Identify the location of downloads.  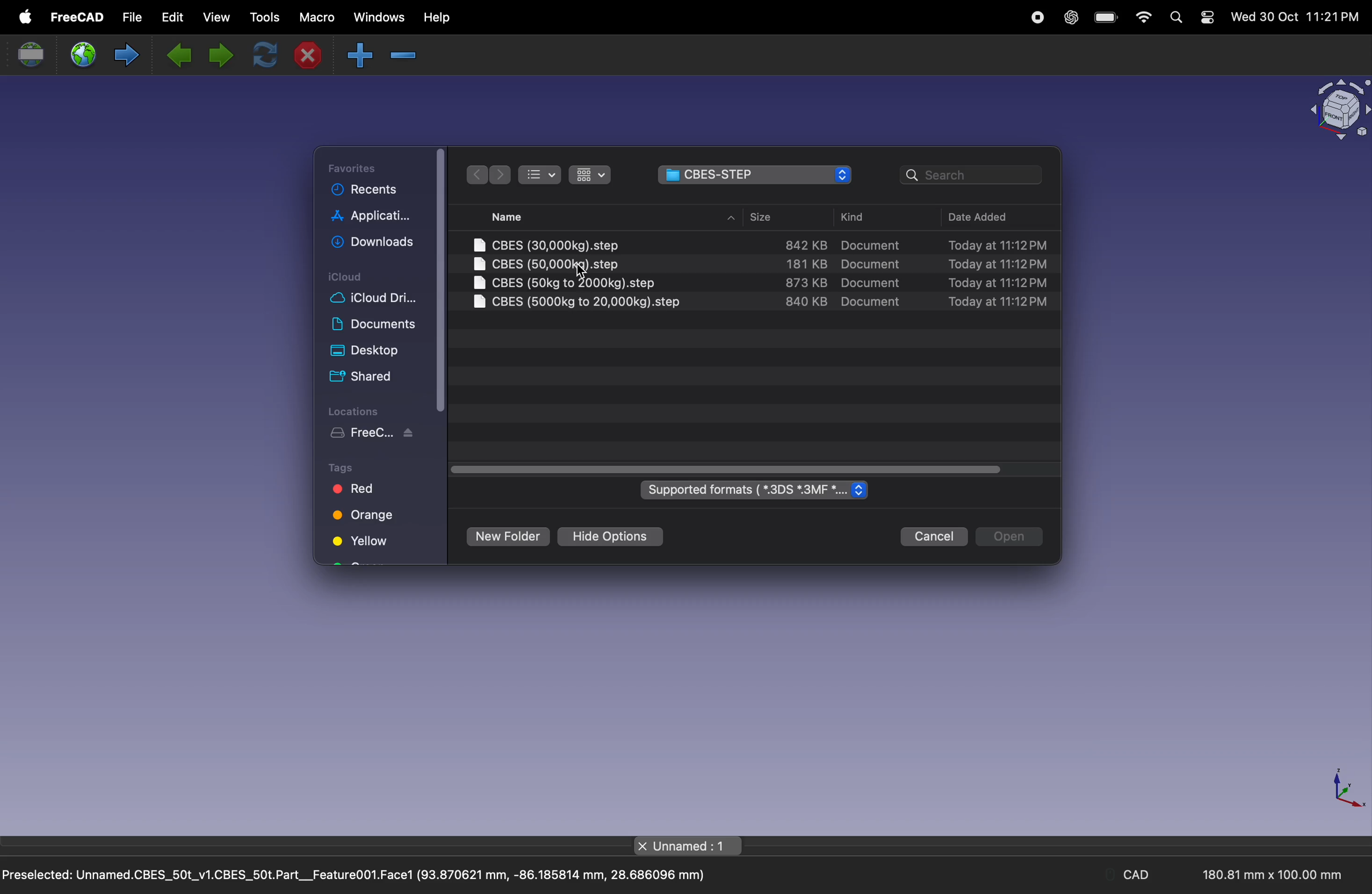
(371, 240).